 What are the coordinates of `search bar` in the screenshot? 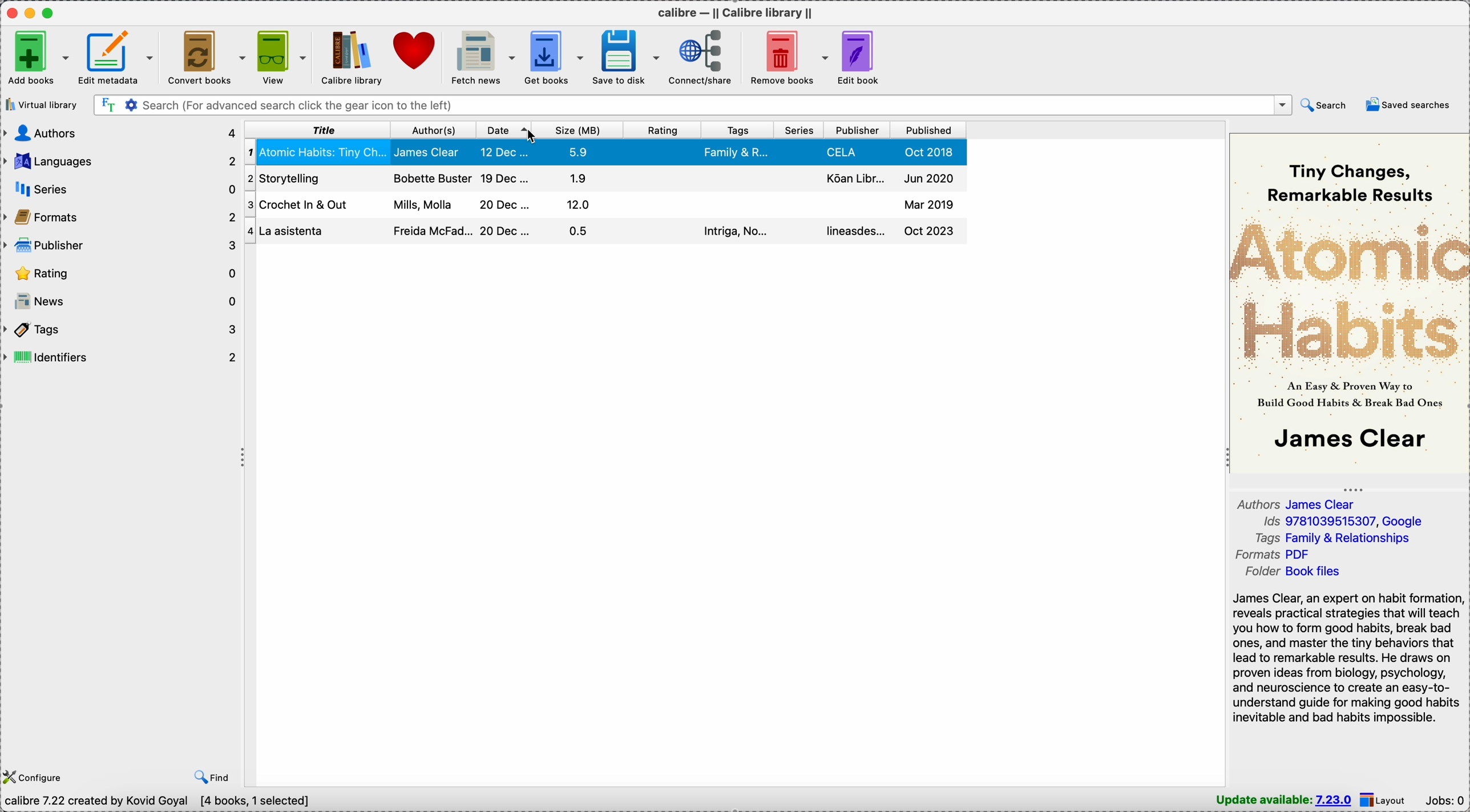 It's located at (692, 104).